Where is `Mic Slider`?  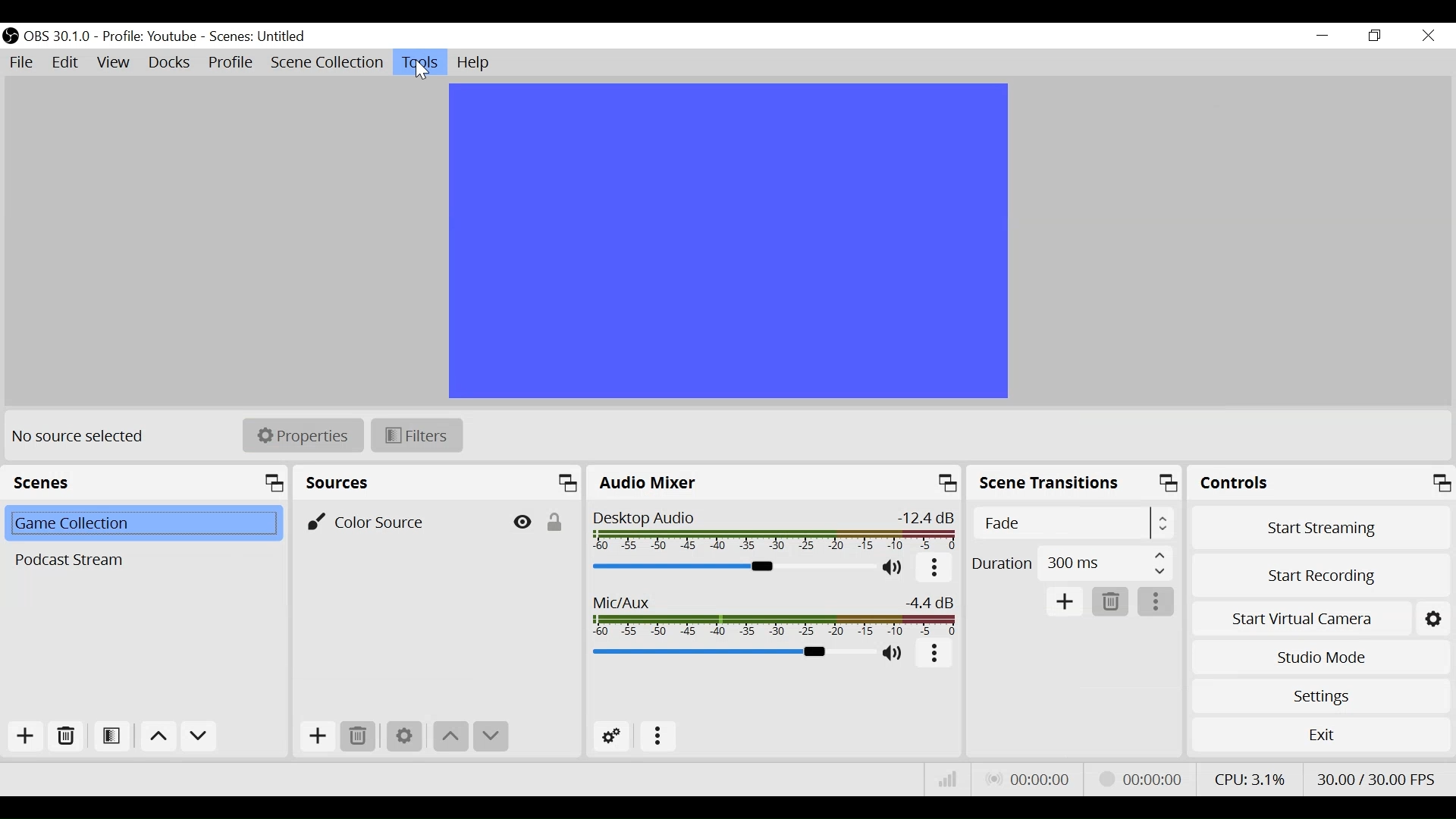 Mic Slider is located at coordinates (731, 652).